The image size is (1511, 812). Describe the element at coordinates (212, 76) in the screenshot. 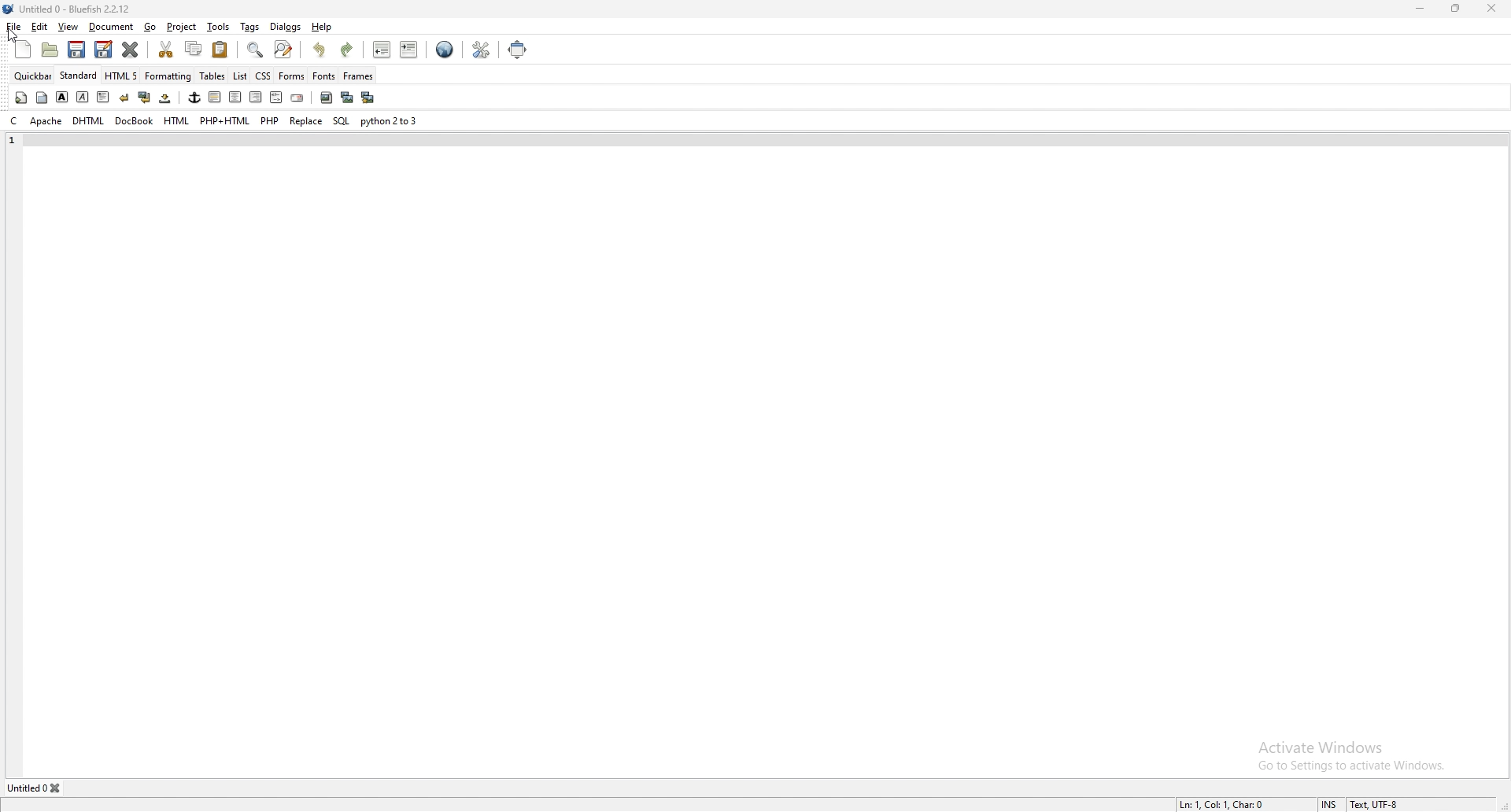

I see `tables` at that location.